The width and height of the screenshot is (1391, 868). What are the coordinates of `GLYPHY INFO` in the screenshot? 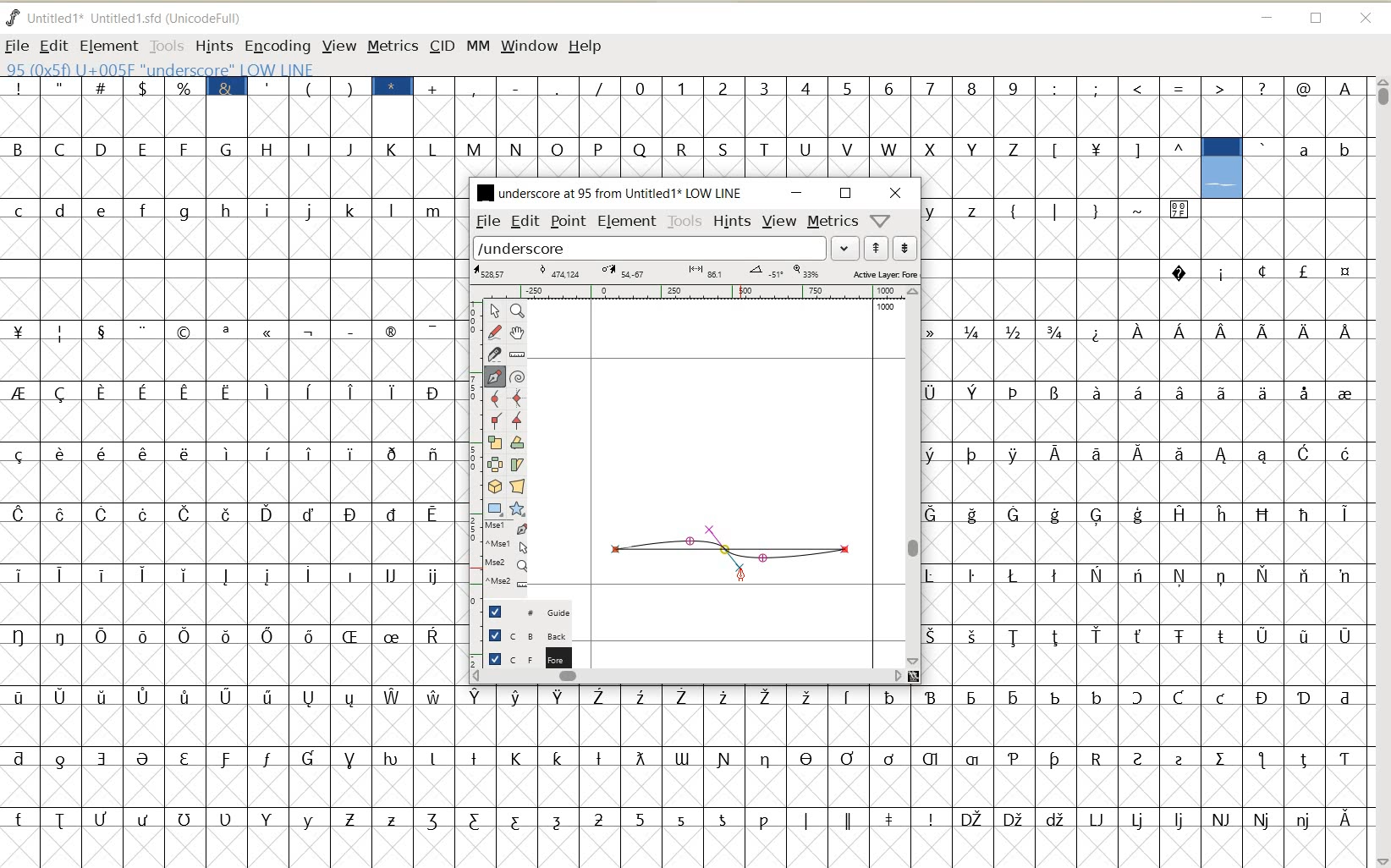 It's located at (264, 68).